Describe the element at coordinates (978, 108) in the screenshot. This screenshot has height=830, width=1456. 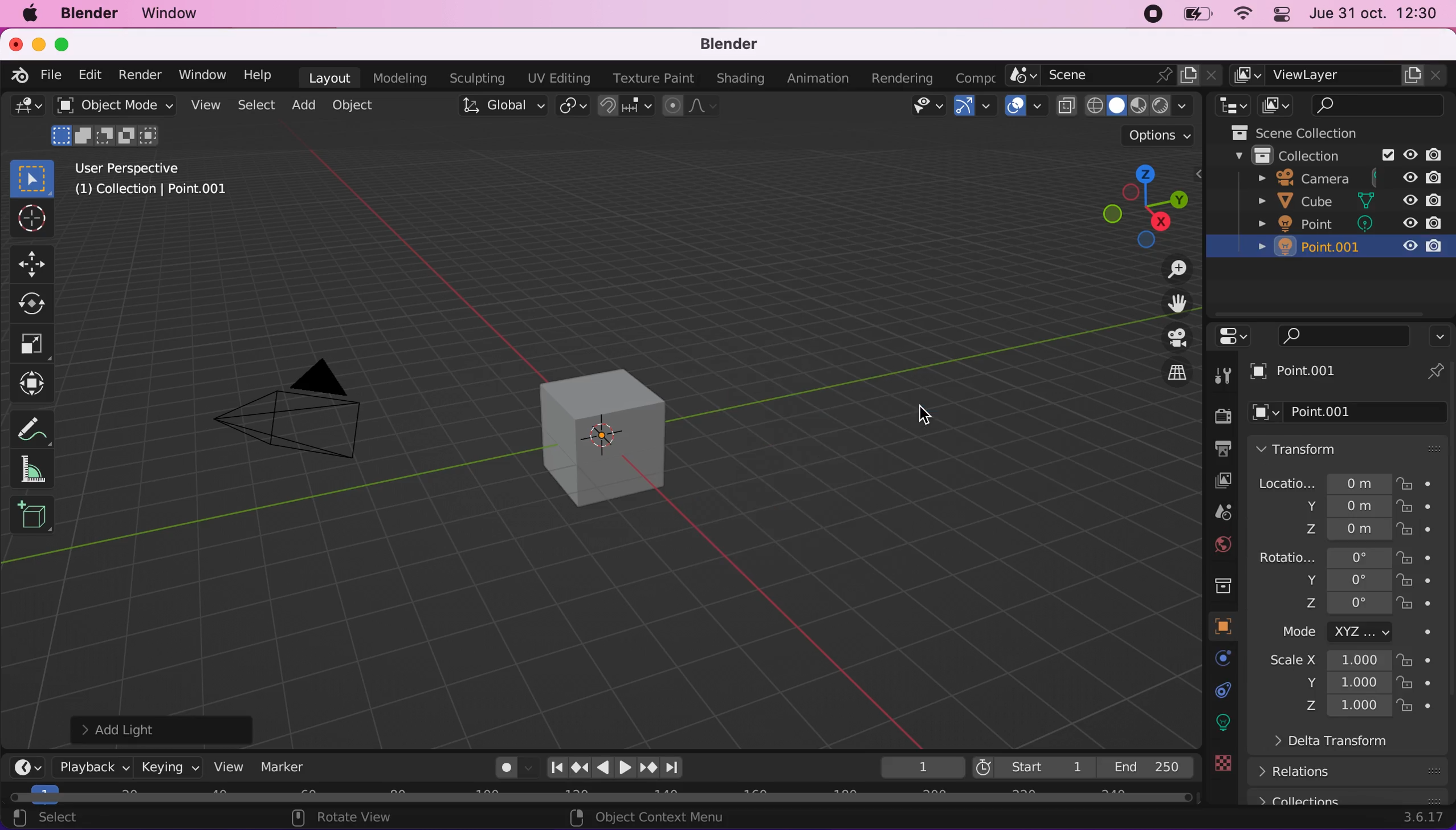
I see `gizmos` at that location.